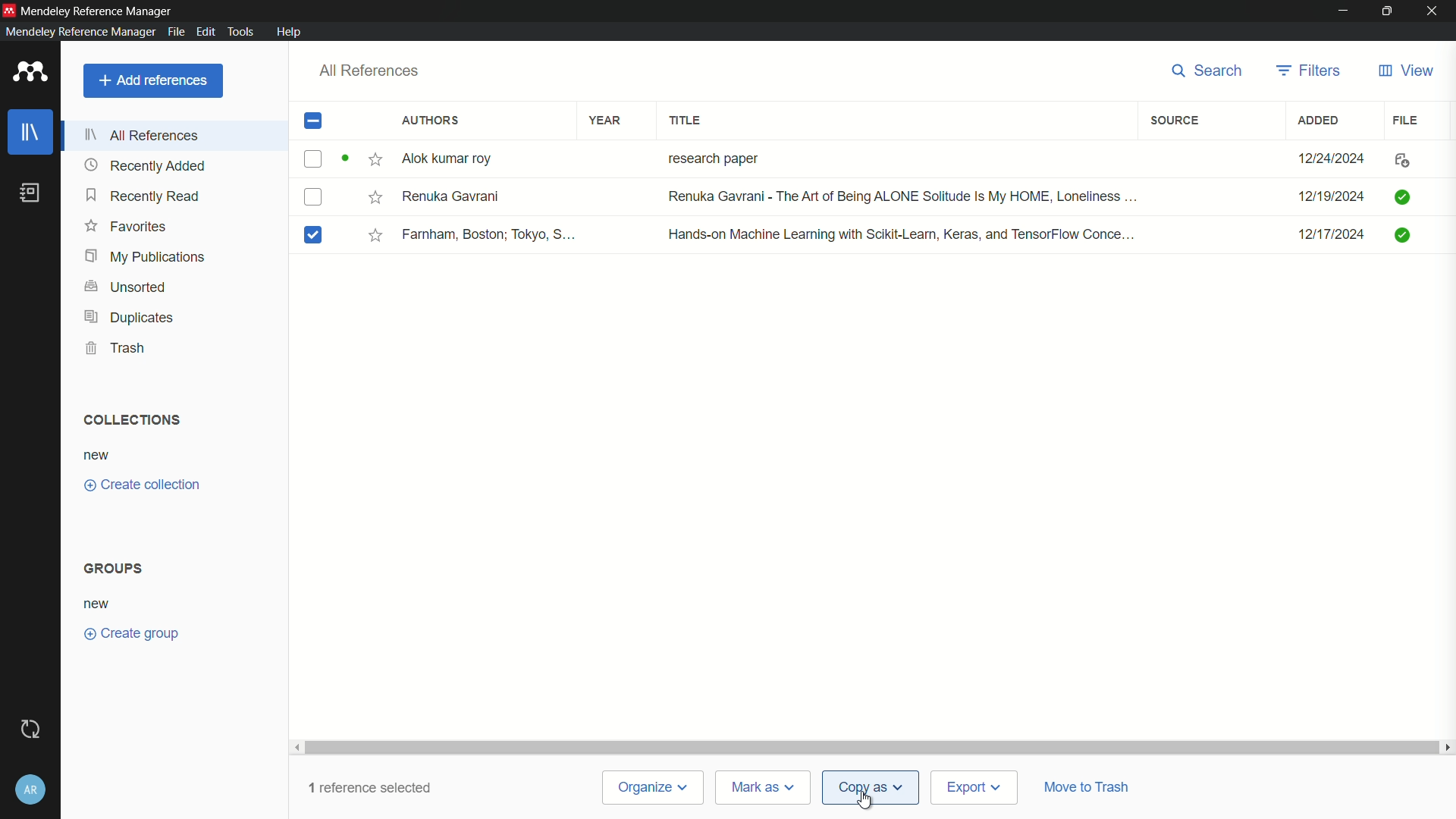 This screenshot has width=1456, height=819. Describe the element at coordinates (1418, 240) in the screenshot. I see `File Uploaded` at that location.